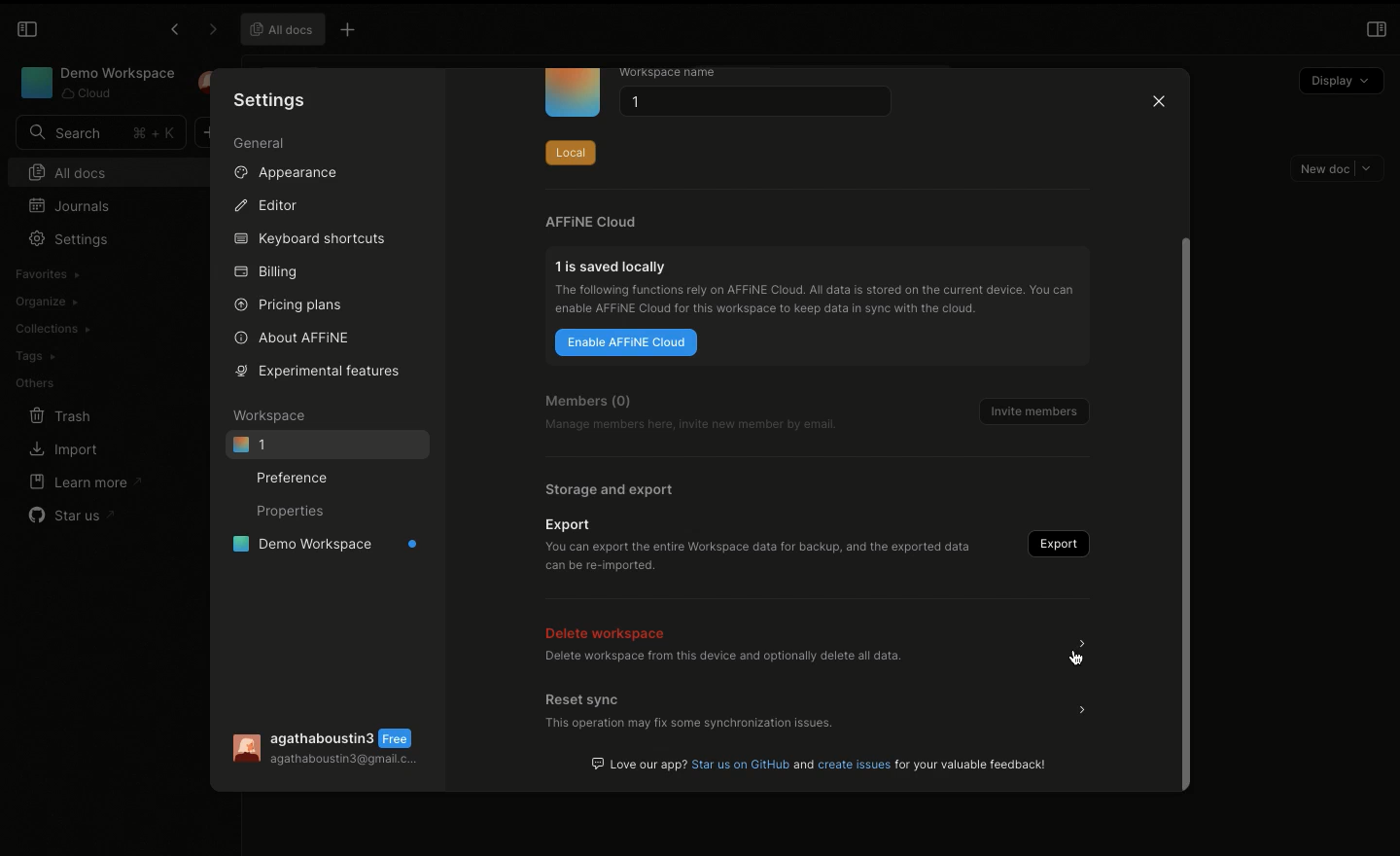 The height and width of the screenshot is (856, 1400). Describe the element at coordinates (614, 266) in the screenshot. I see `1 is saved locally` at that location.